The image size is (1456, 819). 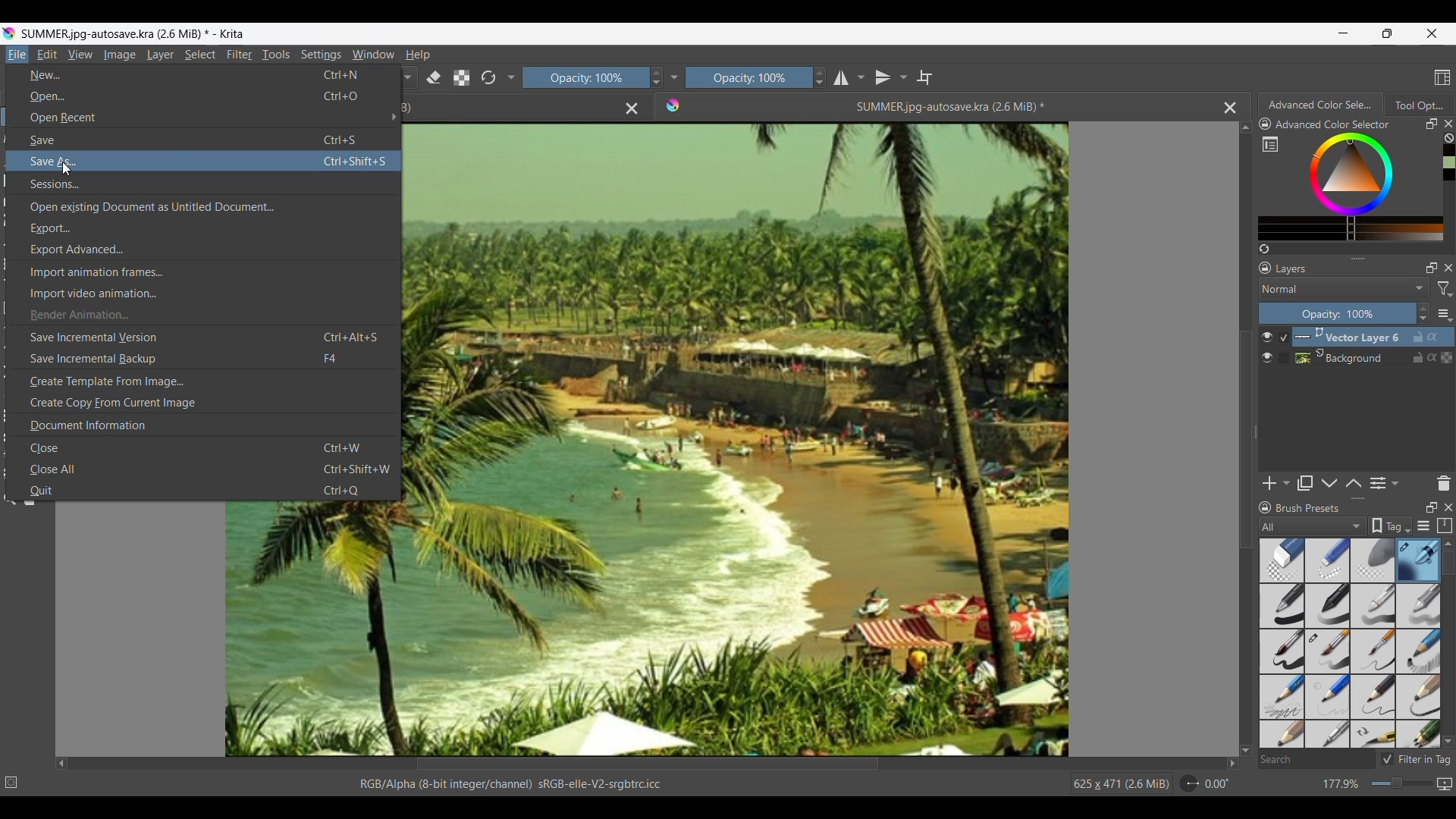 What do you see at coordinates (1112, 783) in the screenshot?
I see `625 x 471 (26 MiB)` at bounding box center [1112, 783].